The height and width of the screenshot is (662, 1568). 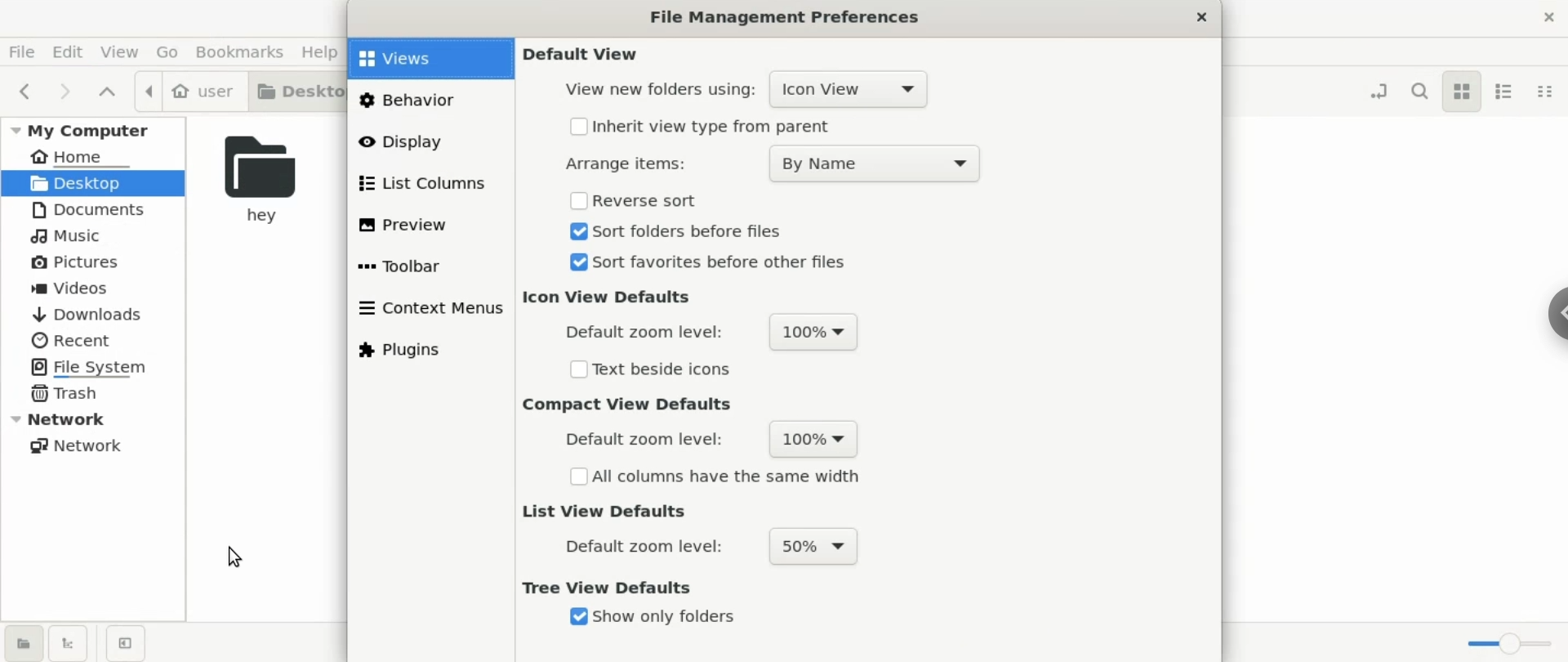 What do you see at coordinates (724, 126) in the screenshot?
I see `inherit view type from parent` at bounding box center [724, 126].